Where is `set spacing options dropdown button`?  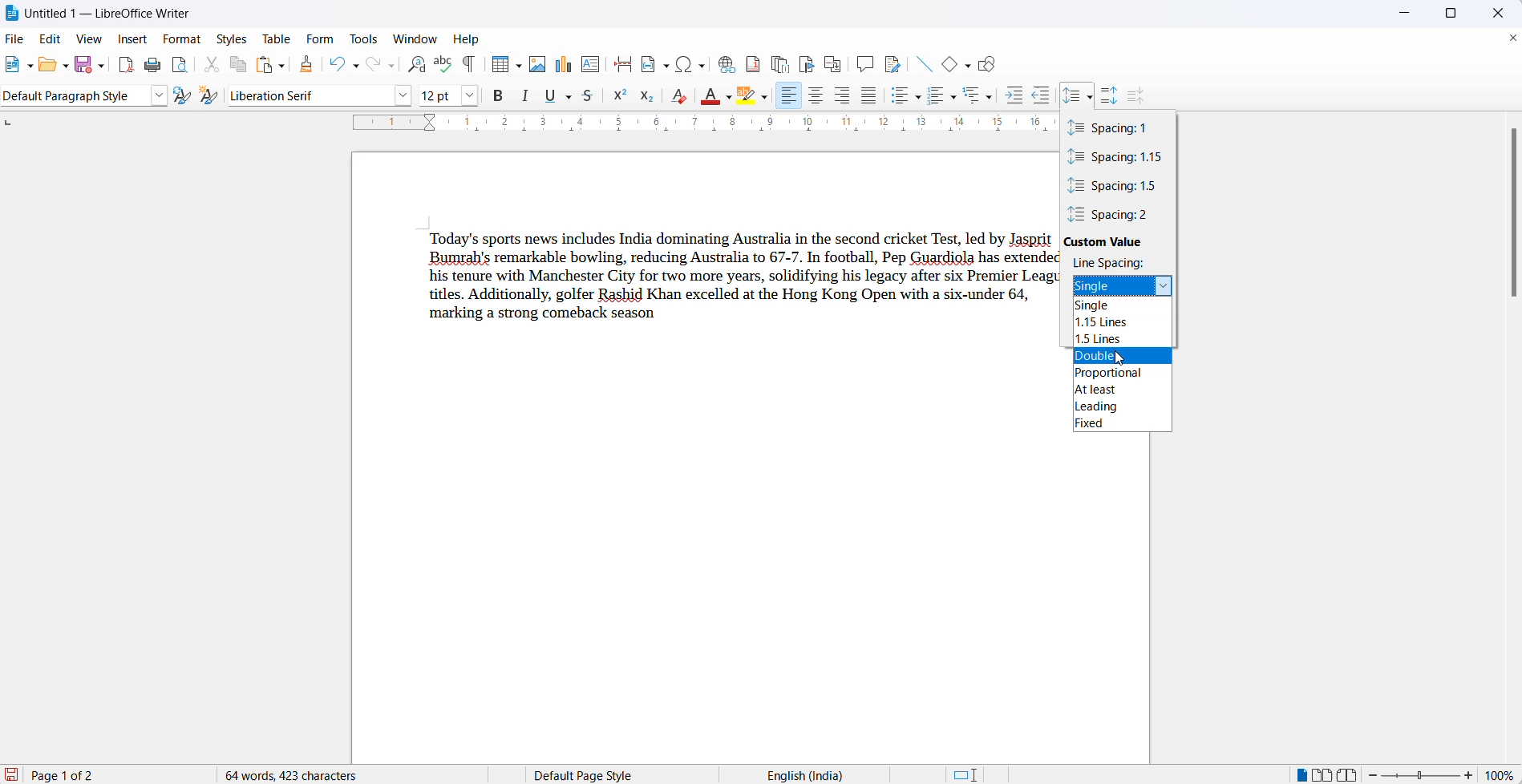
set spacing options dropdown button is located at coordinates (1091, 99).